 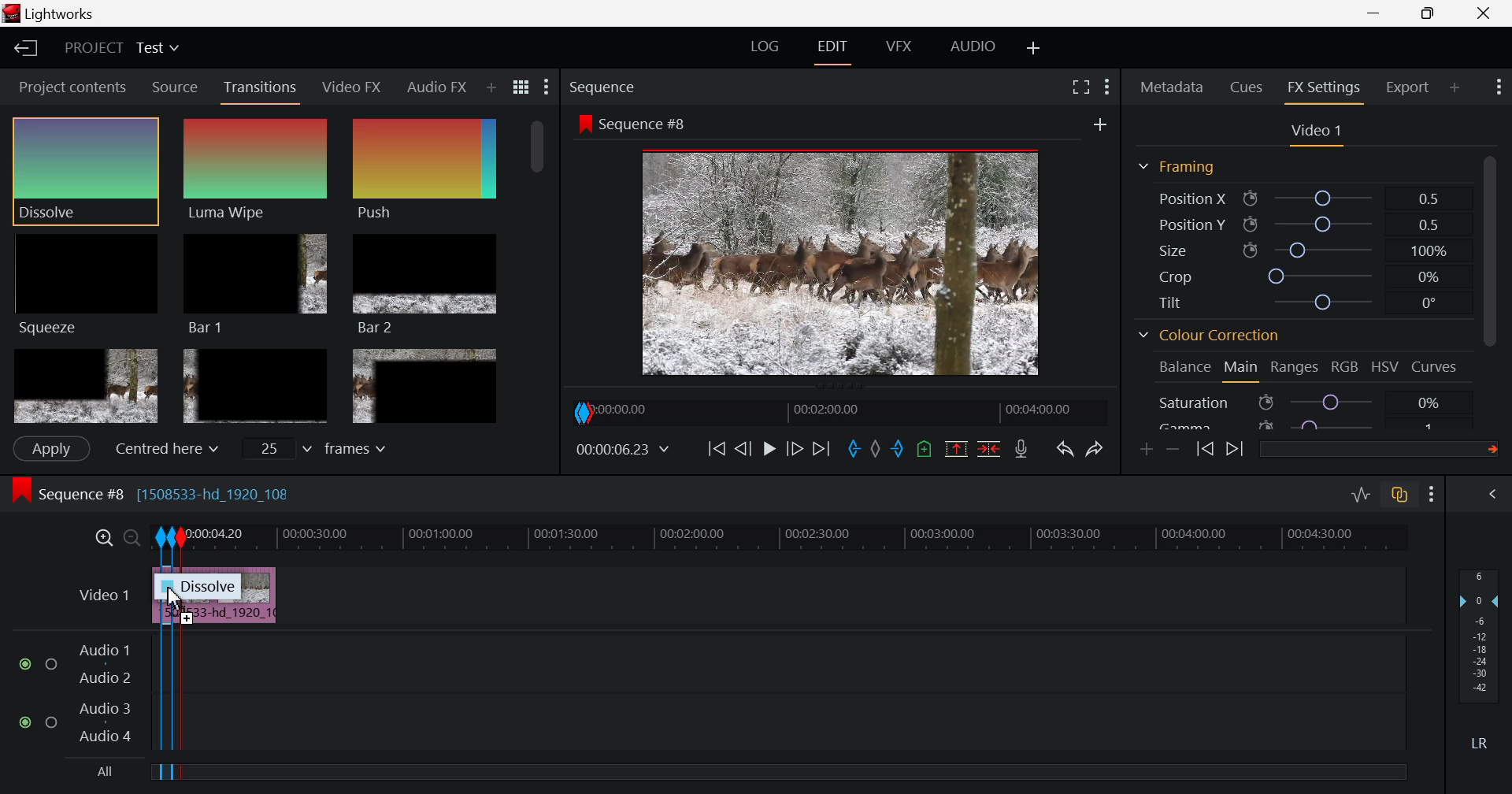 I want to click on Remove all cues, so click(x=922, y=448).